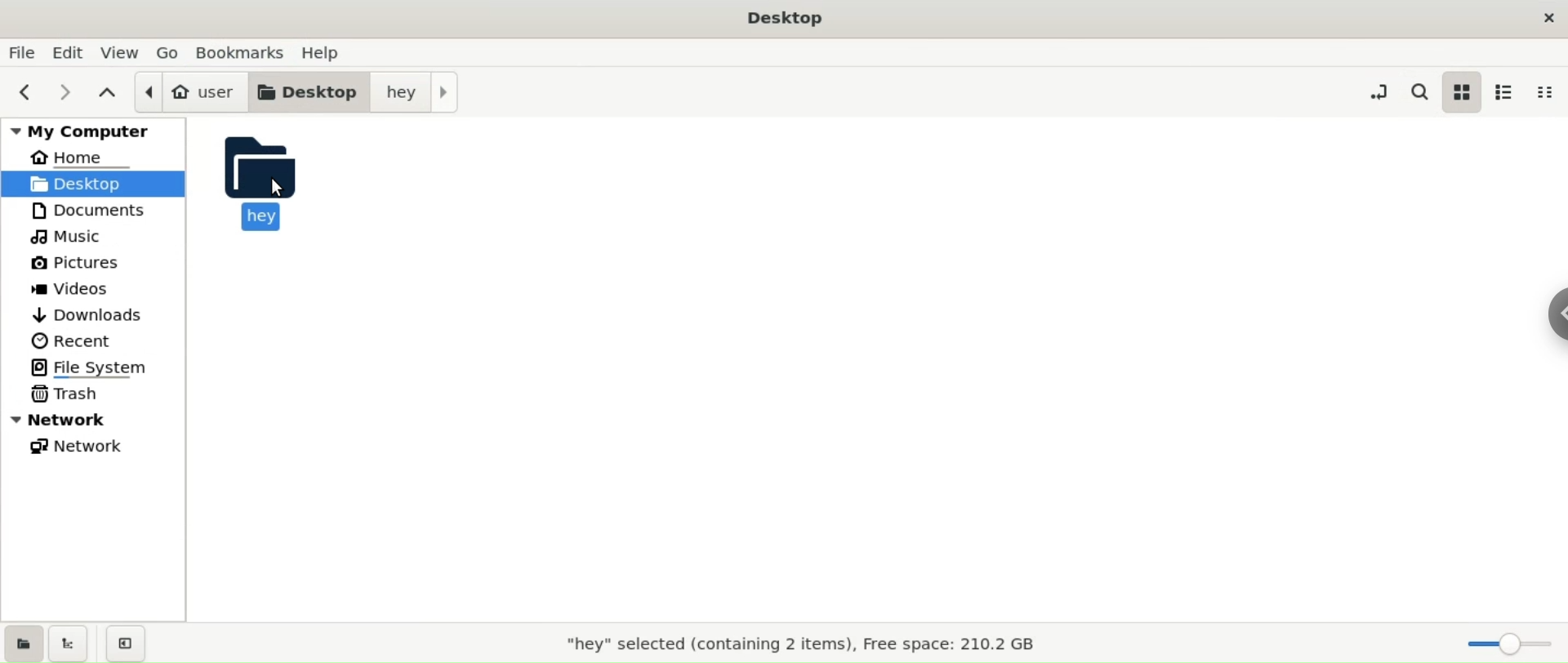 This screenshot has height=663, width=1568. What do you see at coordinates (91, 370) in the screenshot?
I see `file system` at bounding box center [91, 370].